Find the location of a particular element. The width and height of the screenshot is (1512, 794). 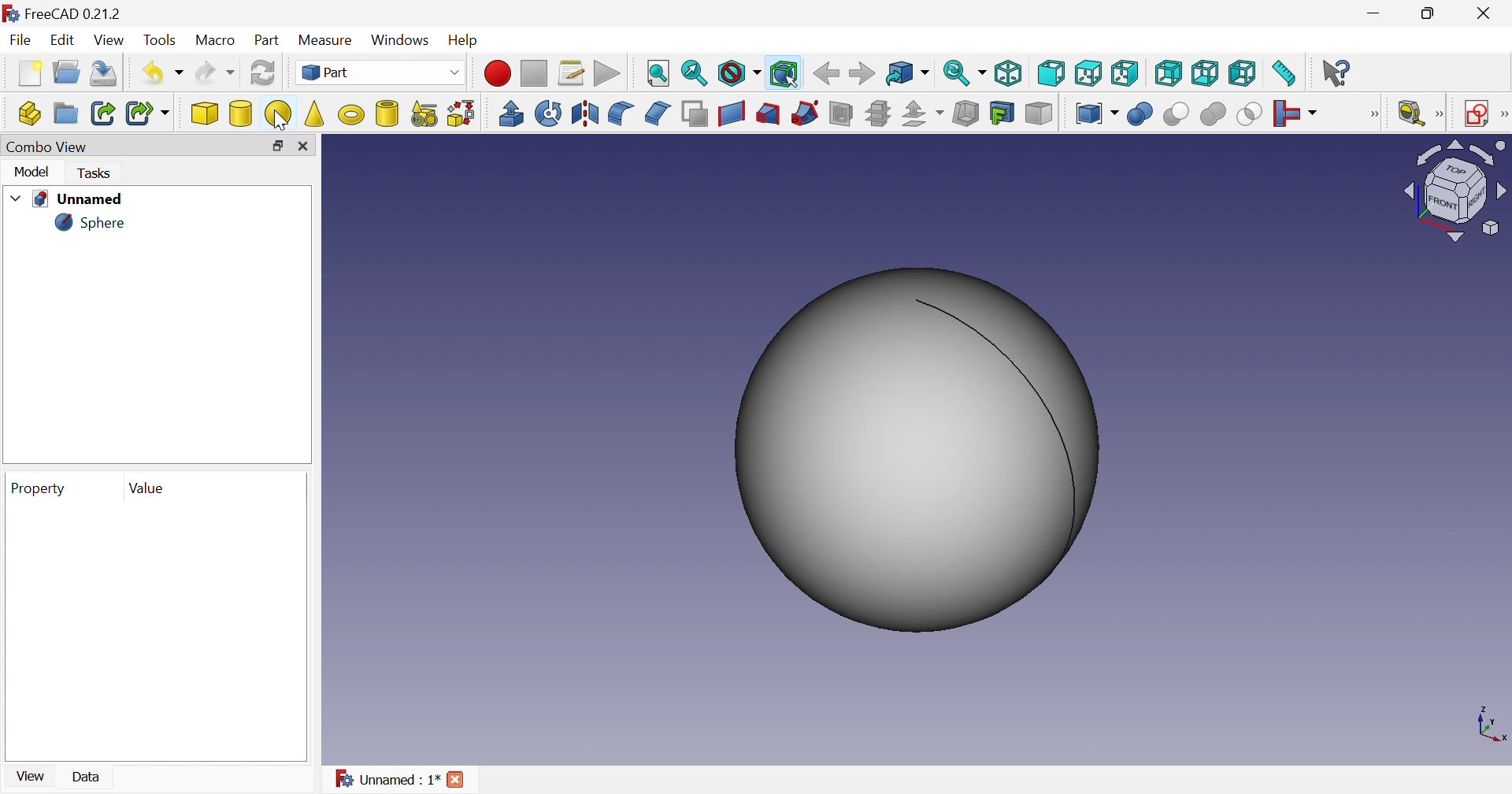

Sweep... is located at coordinates (806, 113).